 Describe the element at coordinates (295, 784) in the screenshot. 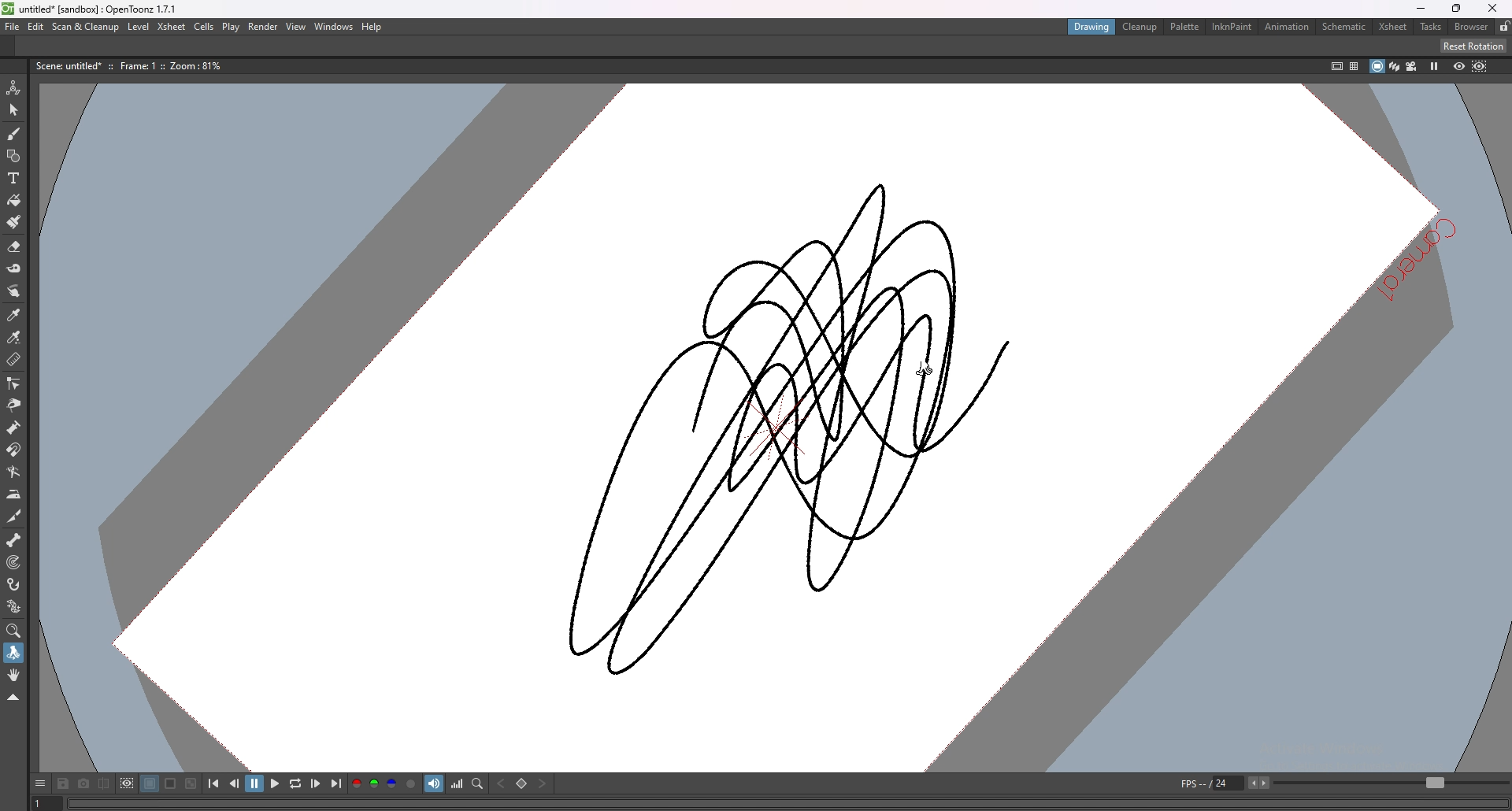

I see `loop` at that location.